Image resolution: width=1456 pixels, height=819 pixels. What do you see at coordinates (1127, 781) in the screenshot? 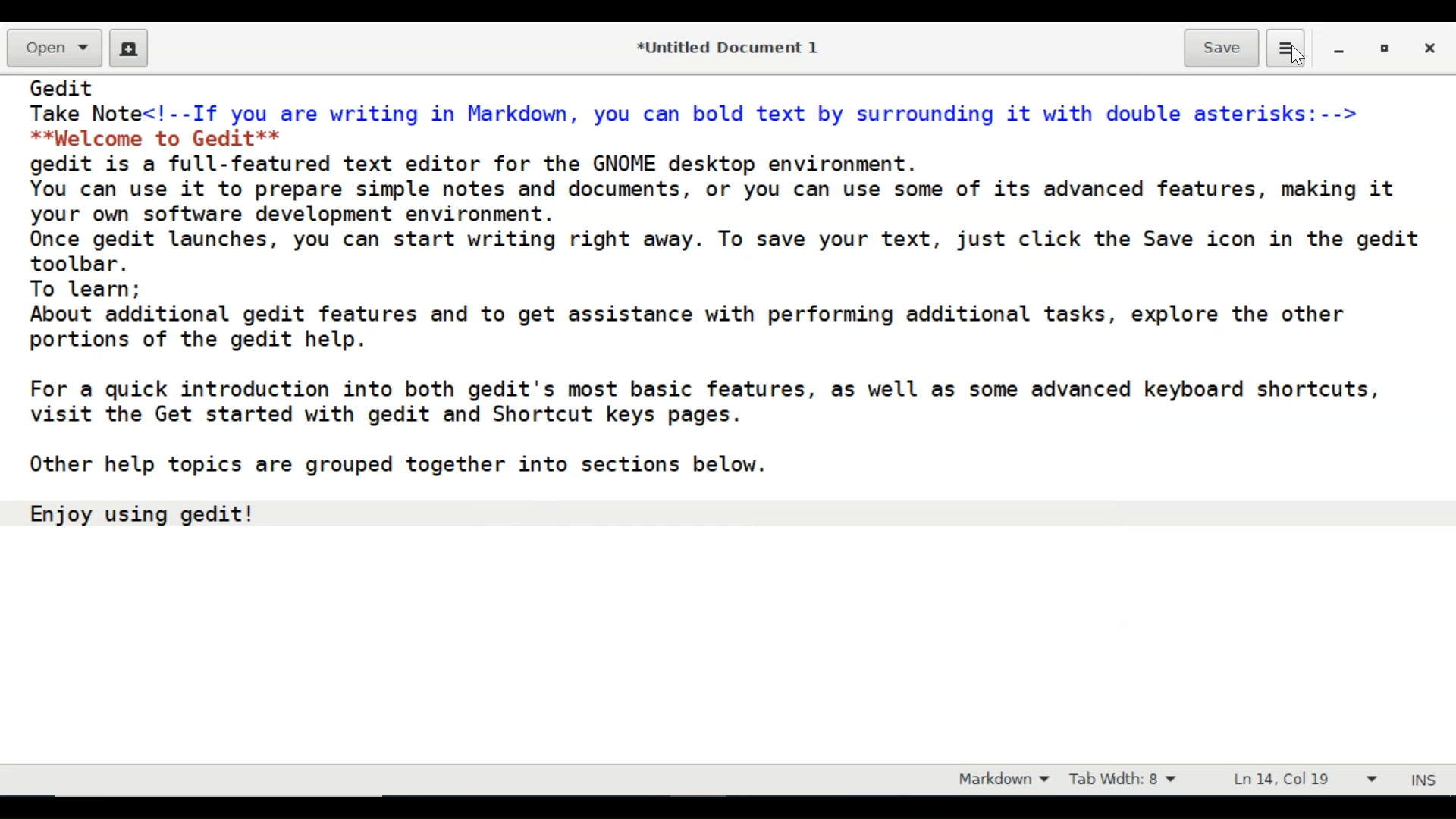
I see `Tab Width` at bounding box center [1127, 781].